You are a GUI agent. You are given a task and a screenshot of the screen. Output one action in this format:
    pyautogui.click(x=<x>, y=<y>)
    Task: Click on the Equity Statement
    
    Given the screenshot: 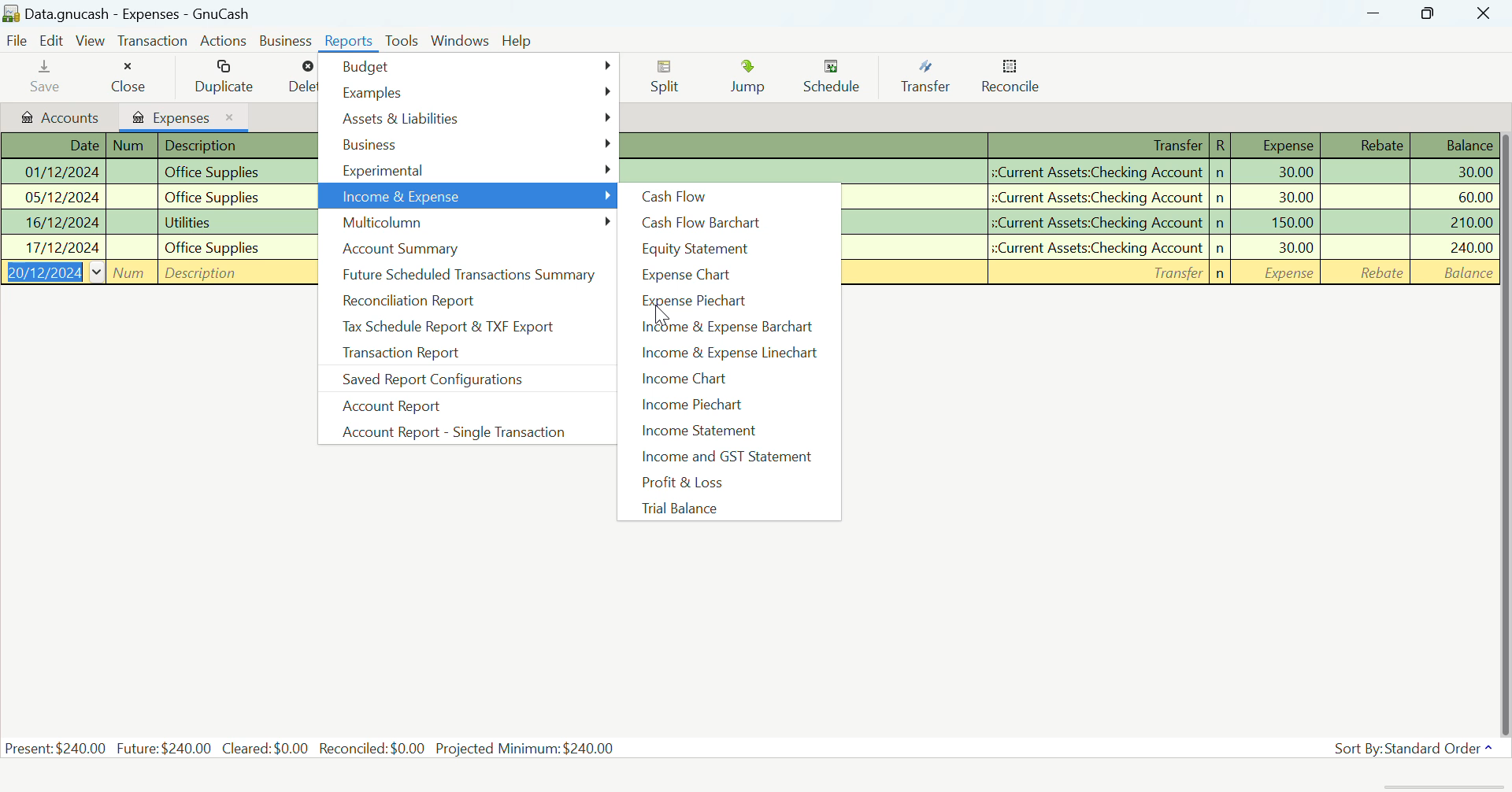 What is the action you would take?
    pyautogui.click(x=728, y=250)
    